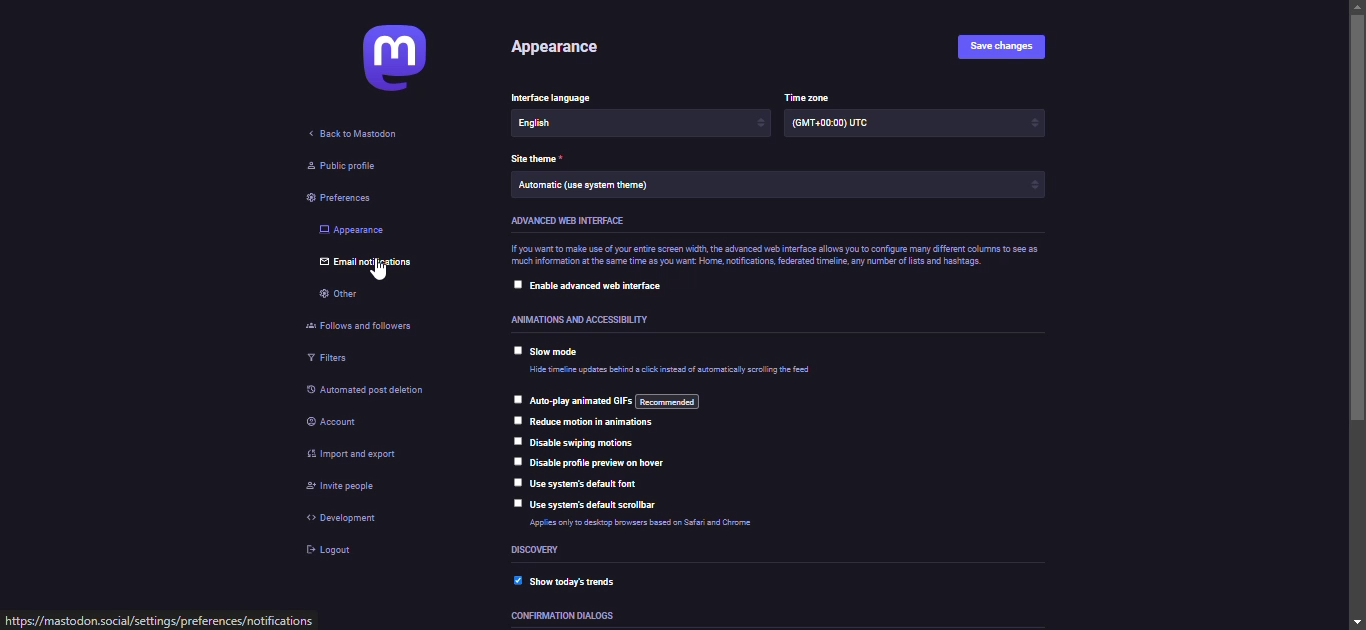 Image resolution: width=1366 pixels, height=630 pixels. I want to click on use system's default scrollbar, so click(594, 504).